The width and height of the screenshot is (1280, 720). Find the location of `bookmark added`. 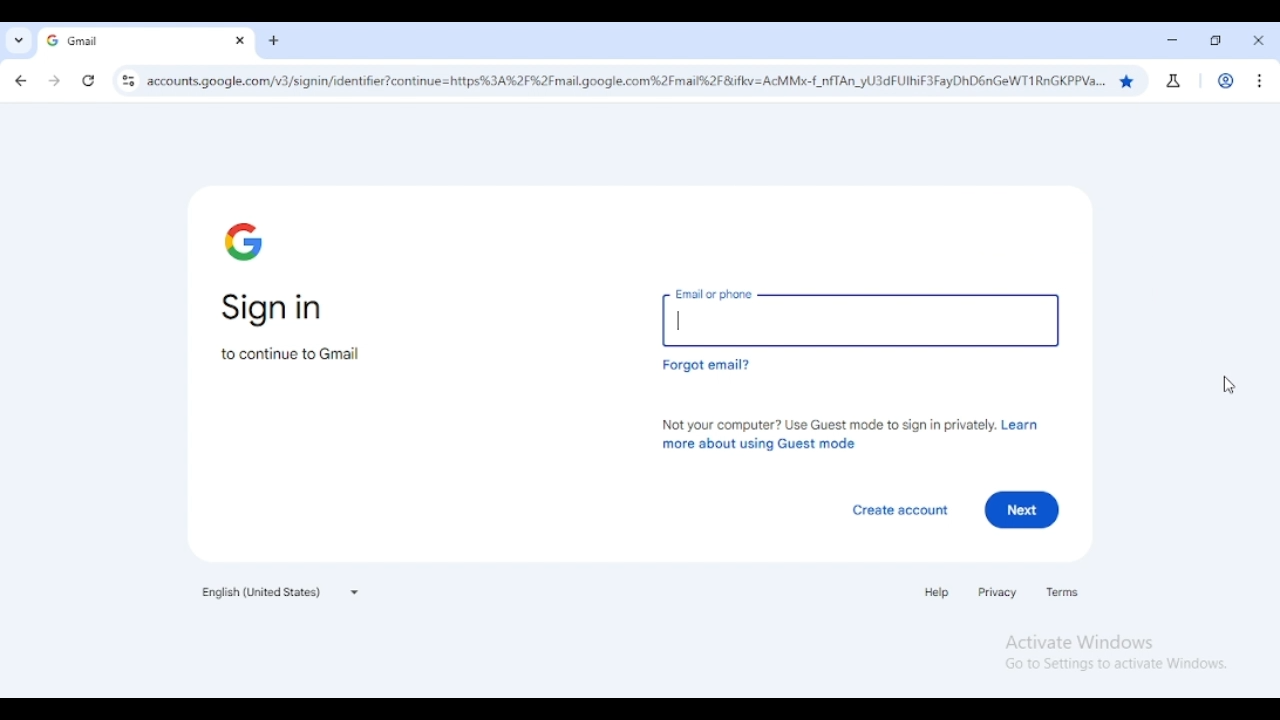

bookmark added is located at coordinates (1126, 81).